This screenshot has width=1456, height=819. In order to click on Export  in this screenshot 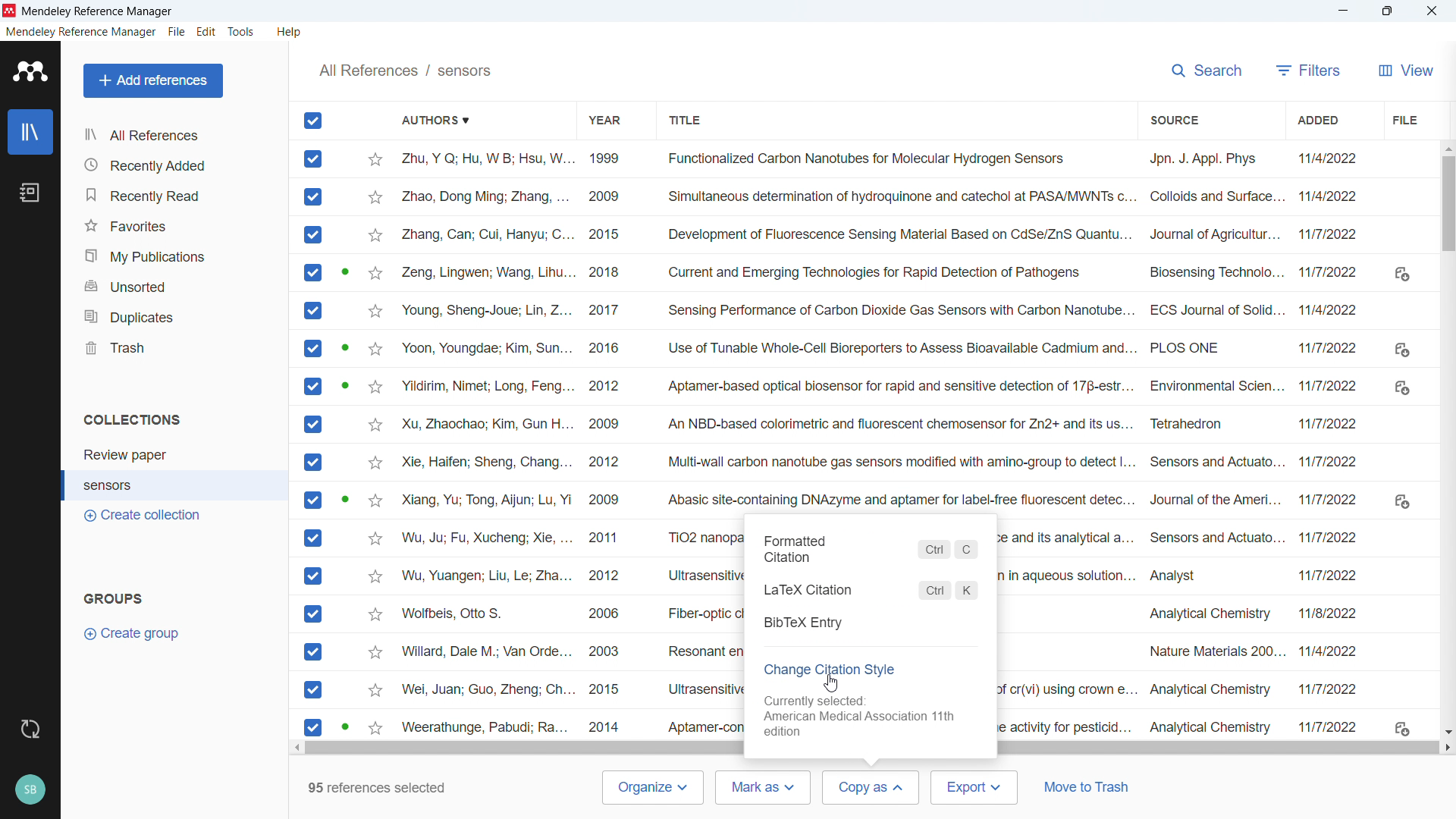, I will do `click(975, 788)`.